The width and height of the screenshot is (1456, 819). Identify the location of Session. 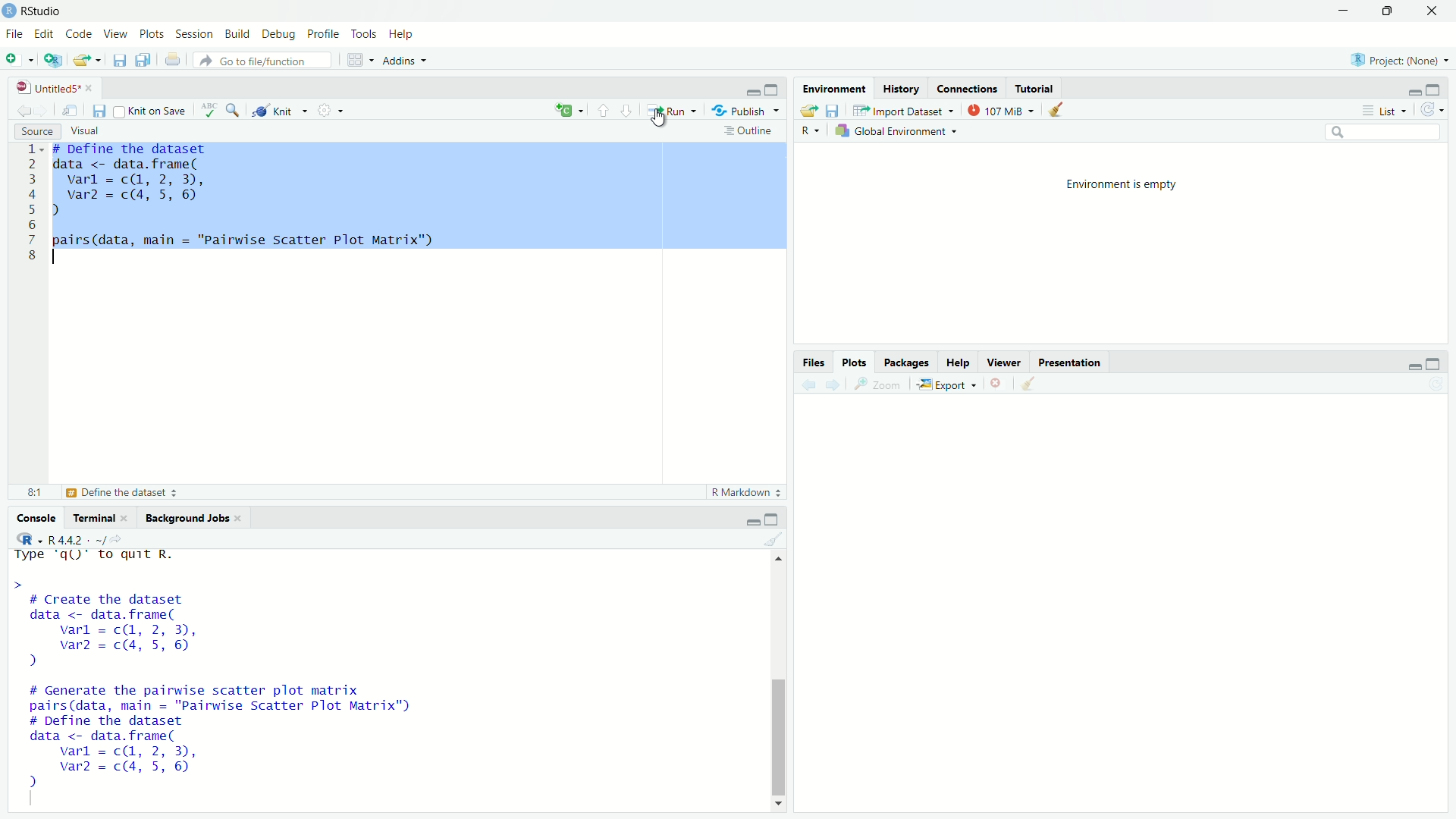
(194, 33).